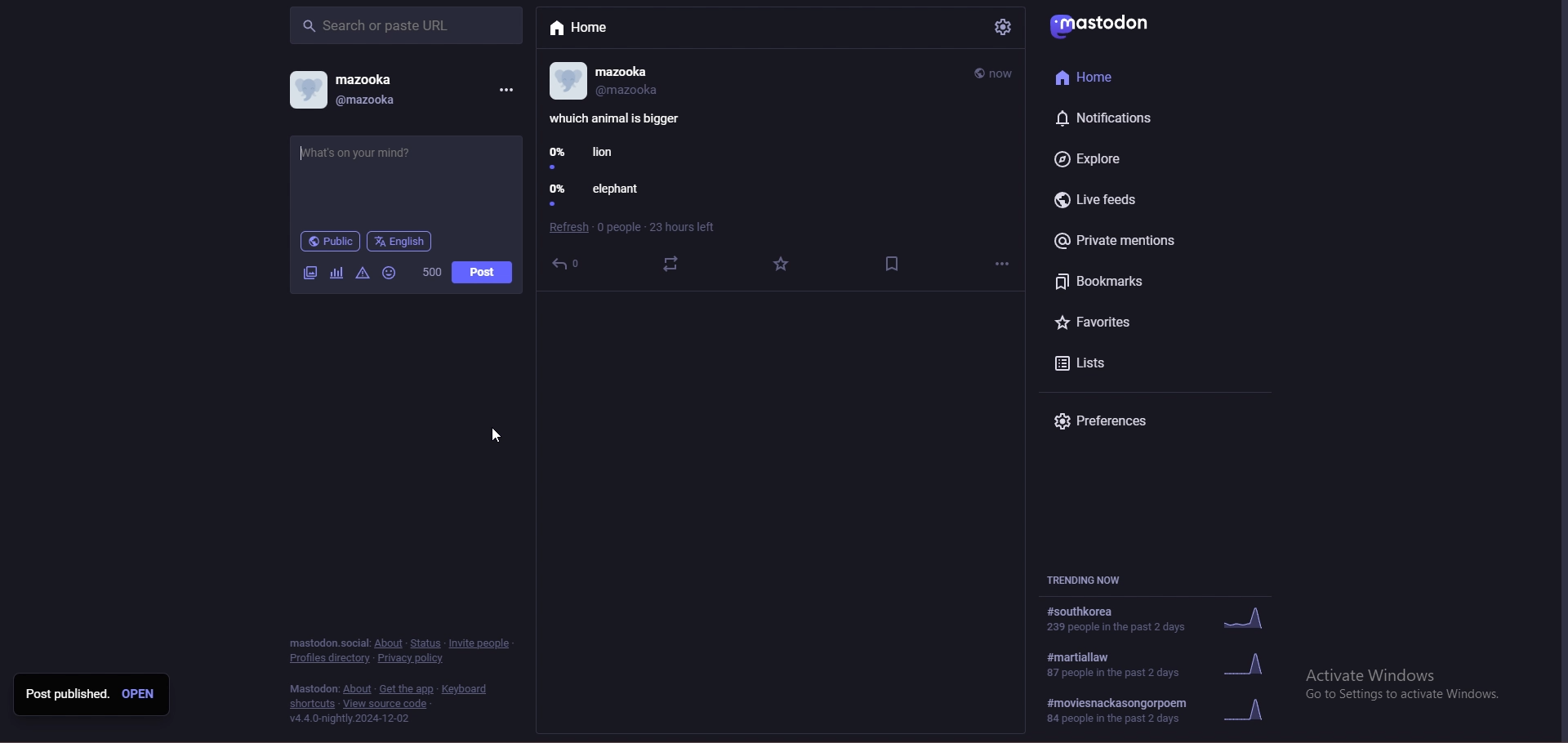 This screenshot has width=1568, height=743. Describe the element at coordinates (389, 273) in the screenshot. I see `emoji` at that location.